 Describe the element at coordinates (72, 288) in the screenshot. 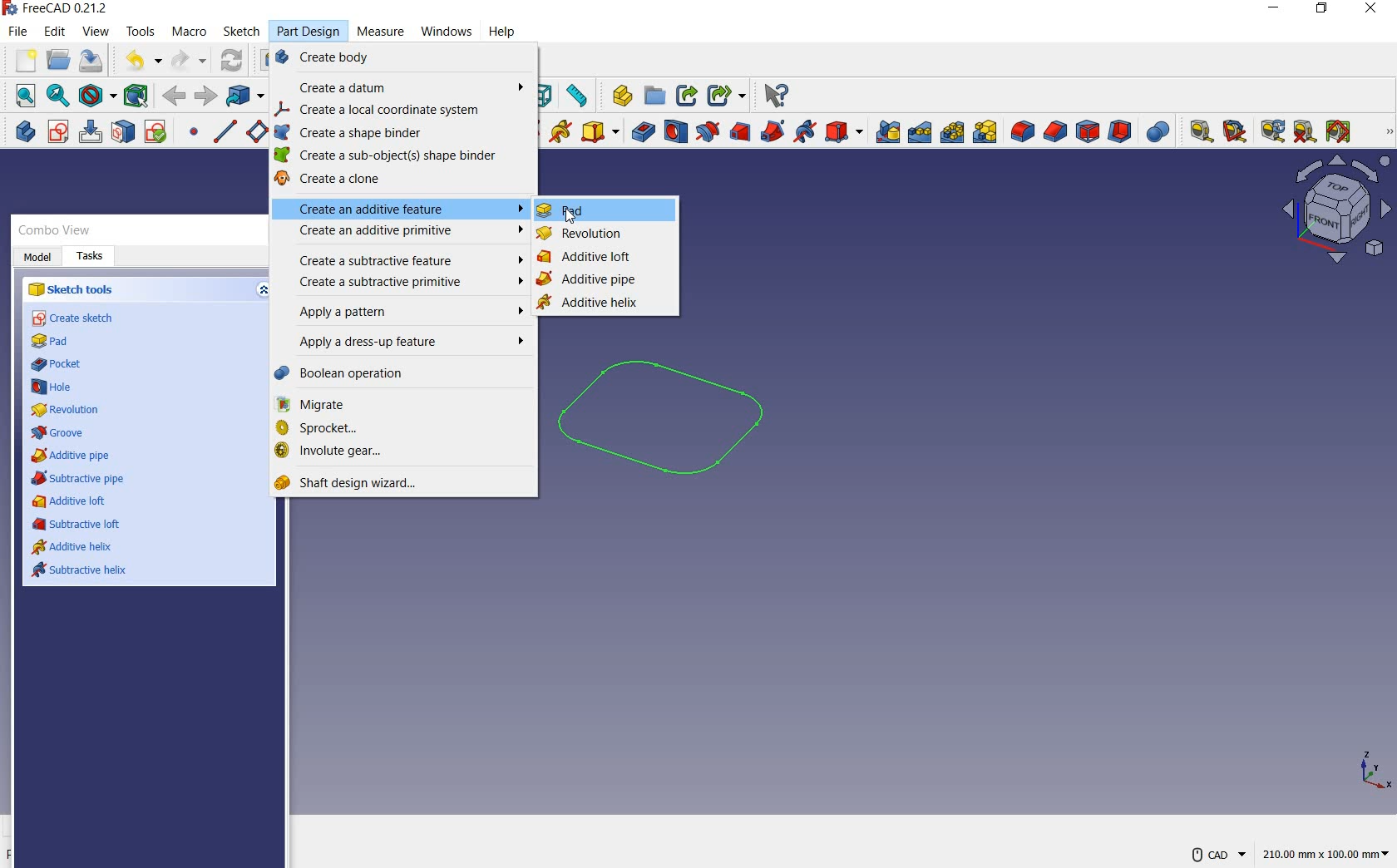

I see `sketch tools` at that location.